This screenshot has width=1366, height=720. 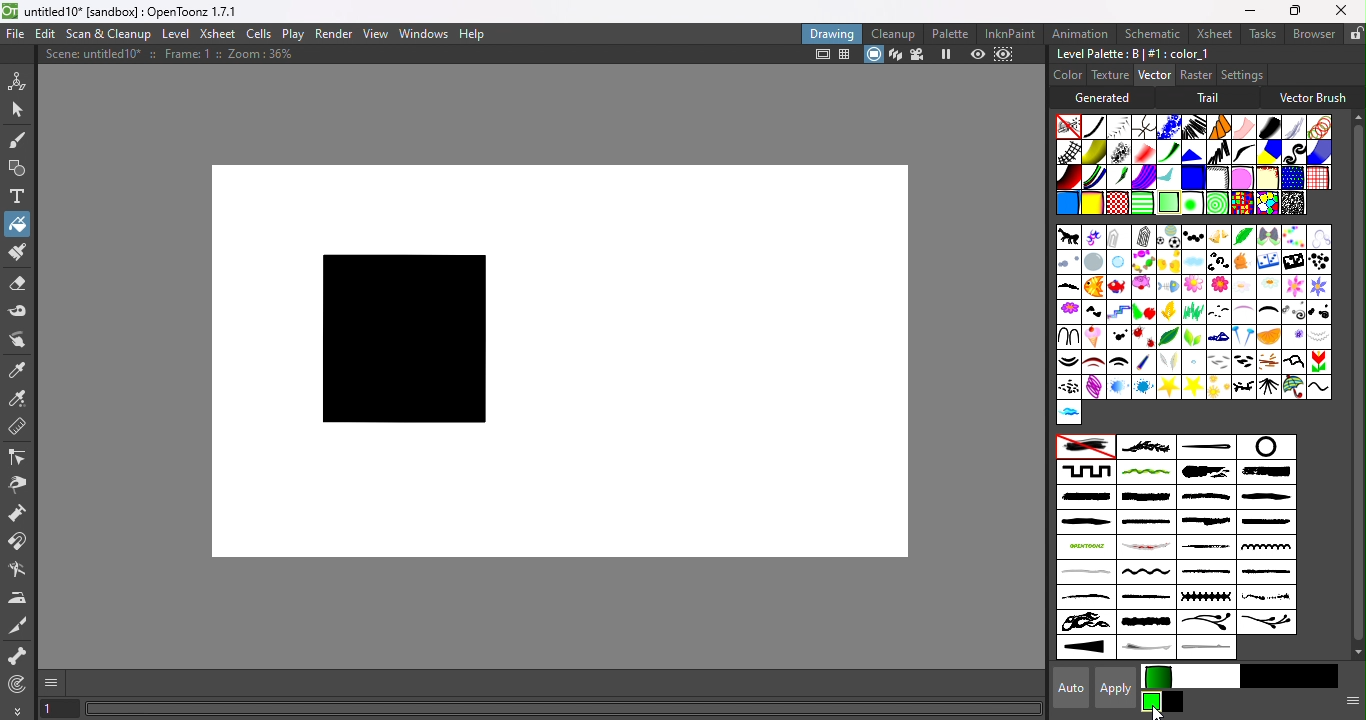 What do you see at coordinates (1069, 362) in the screenshot?
I see `pare` at bounding box center [1069, 362].